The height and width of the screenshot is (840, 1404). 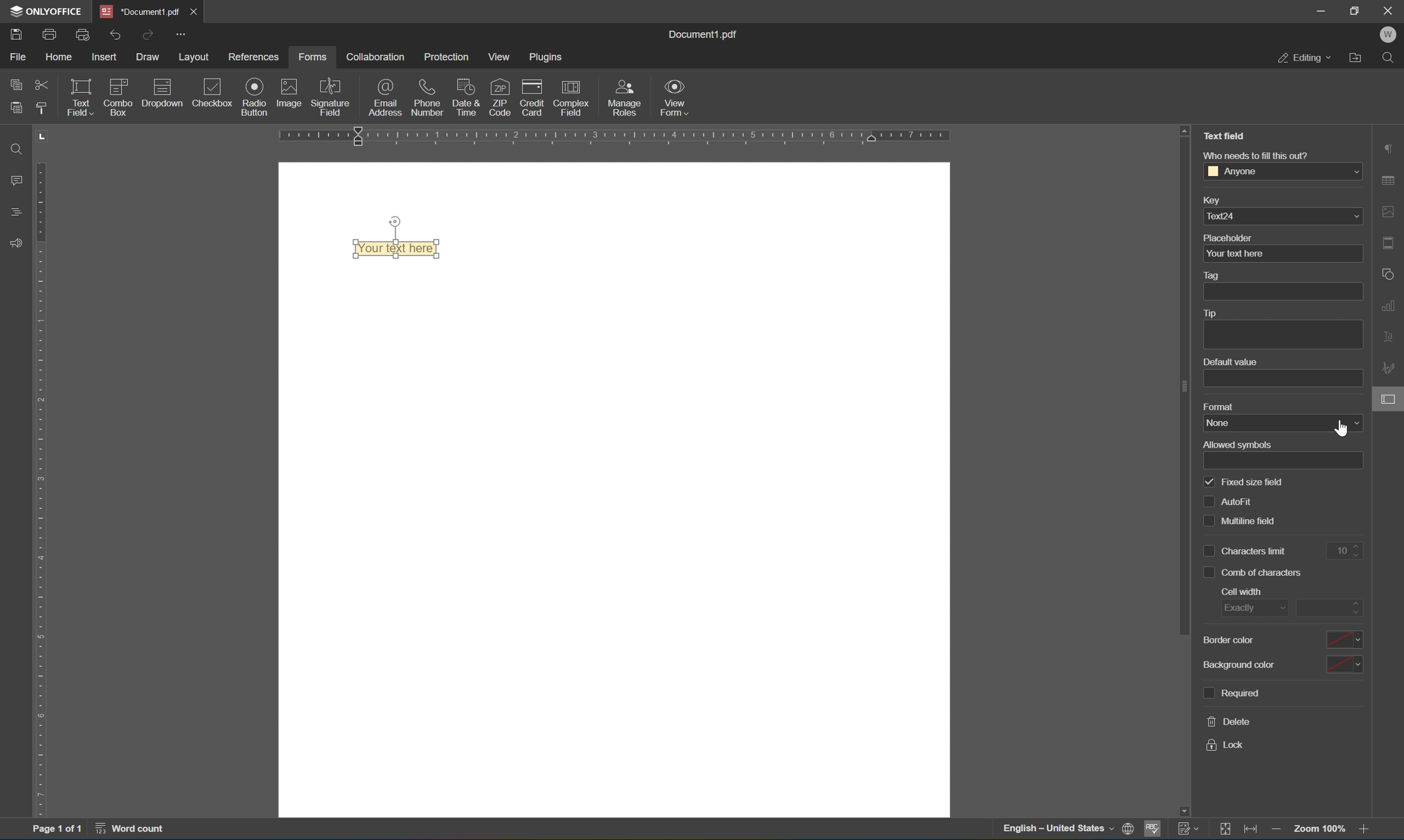 What do you see at coordinates (1392, 242) in the screenshot?
I see `header and footer settings` at bounding box center [1392, 242].